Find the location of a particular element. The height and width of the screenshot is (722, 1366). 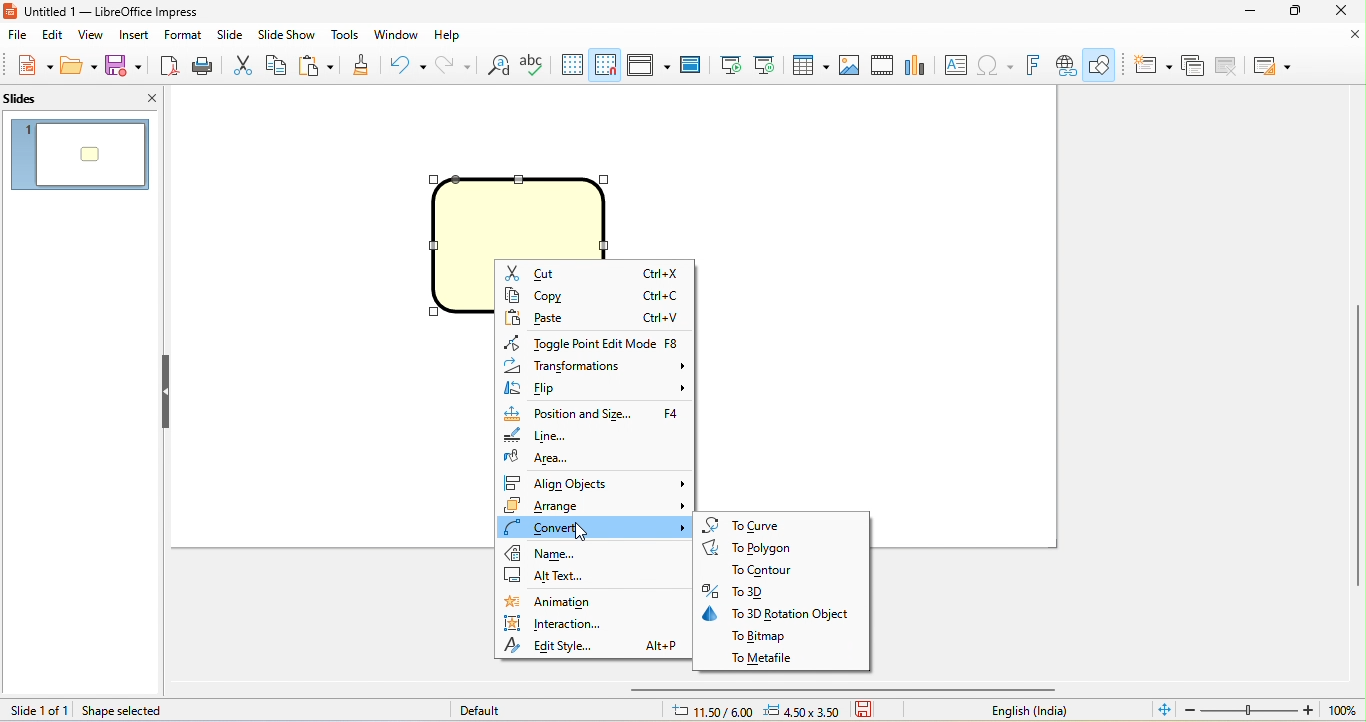

vedio is located at coordinates (886, 65).